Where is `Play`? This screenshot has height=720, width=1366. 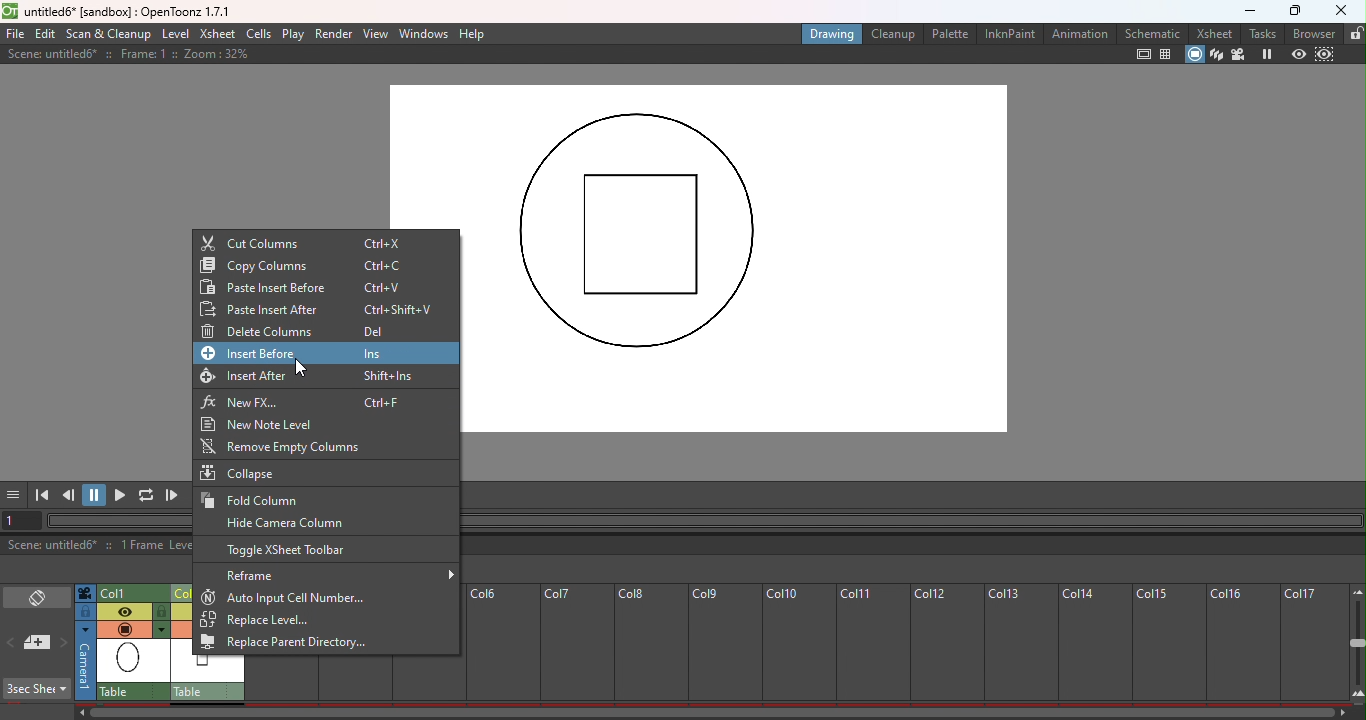
Play is located at coordinates (122, 495).